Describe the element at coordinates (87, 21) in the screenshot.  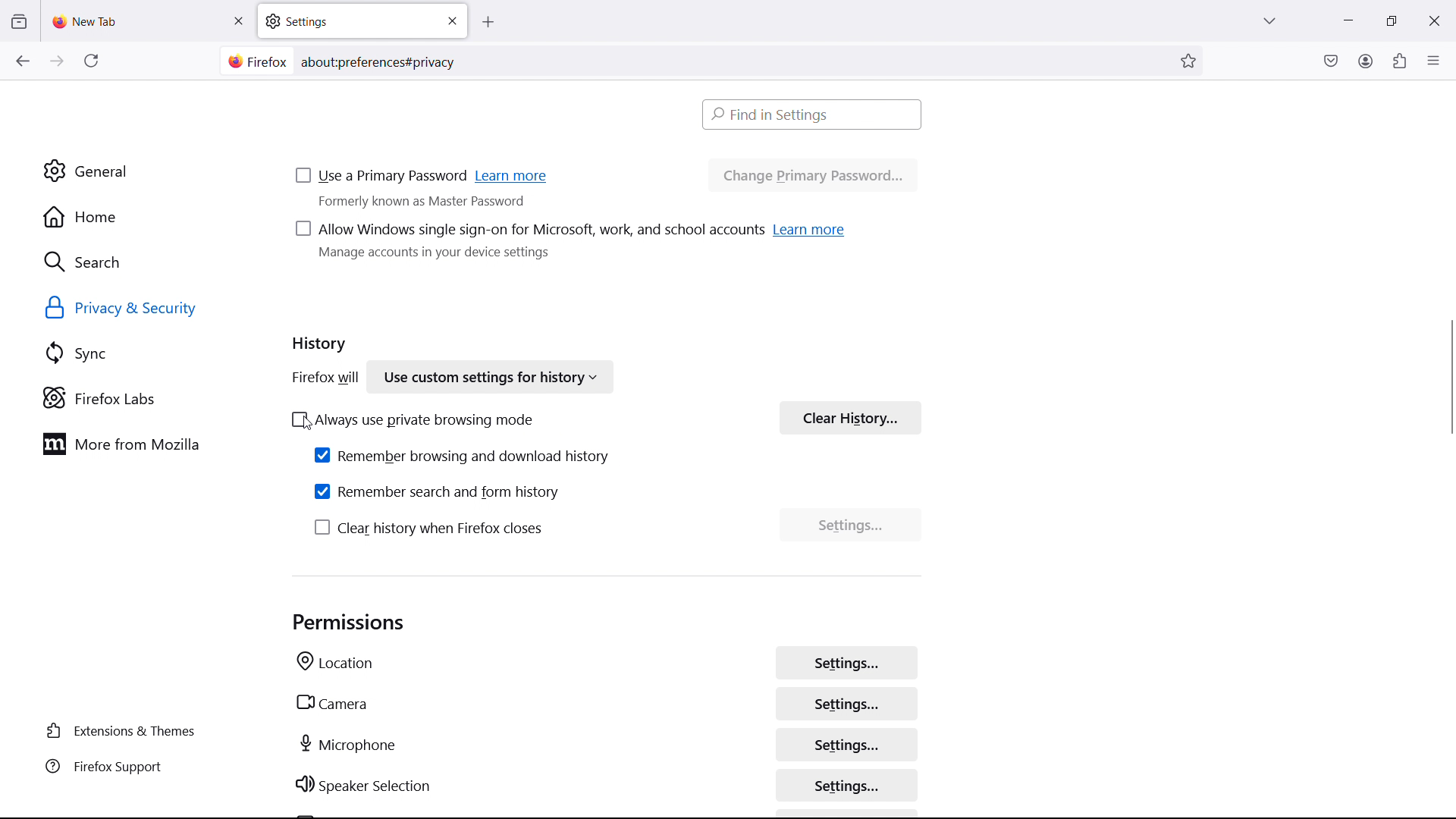
I see `new tab` at that location.